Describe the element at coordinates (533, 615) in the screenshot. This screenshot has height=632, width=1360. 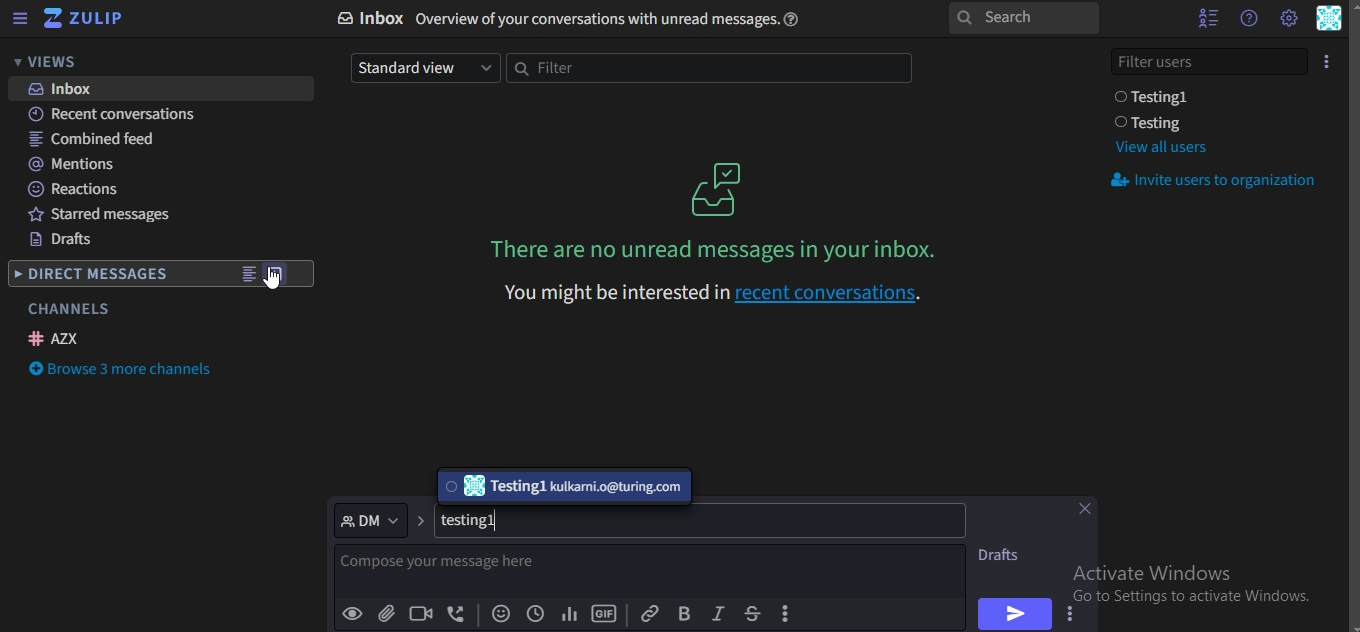
I see `add global time` at that location.